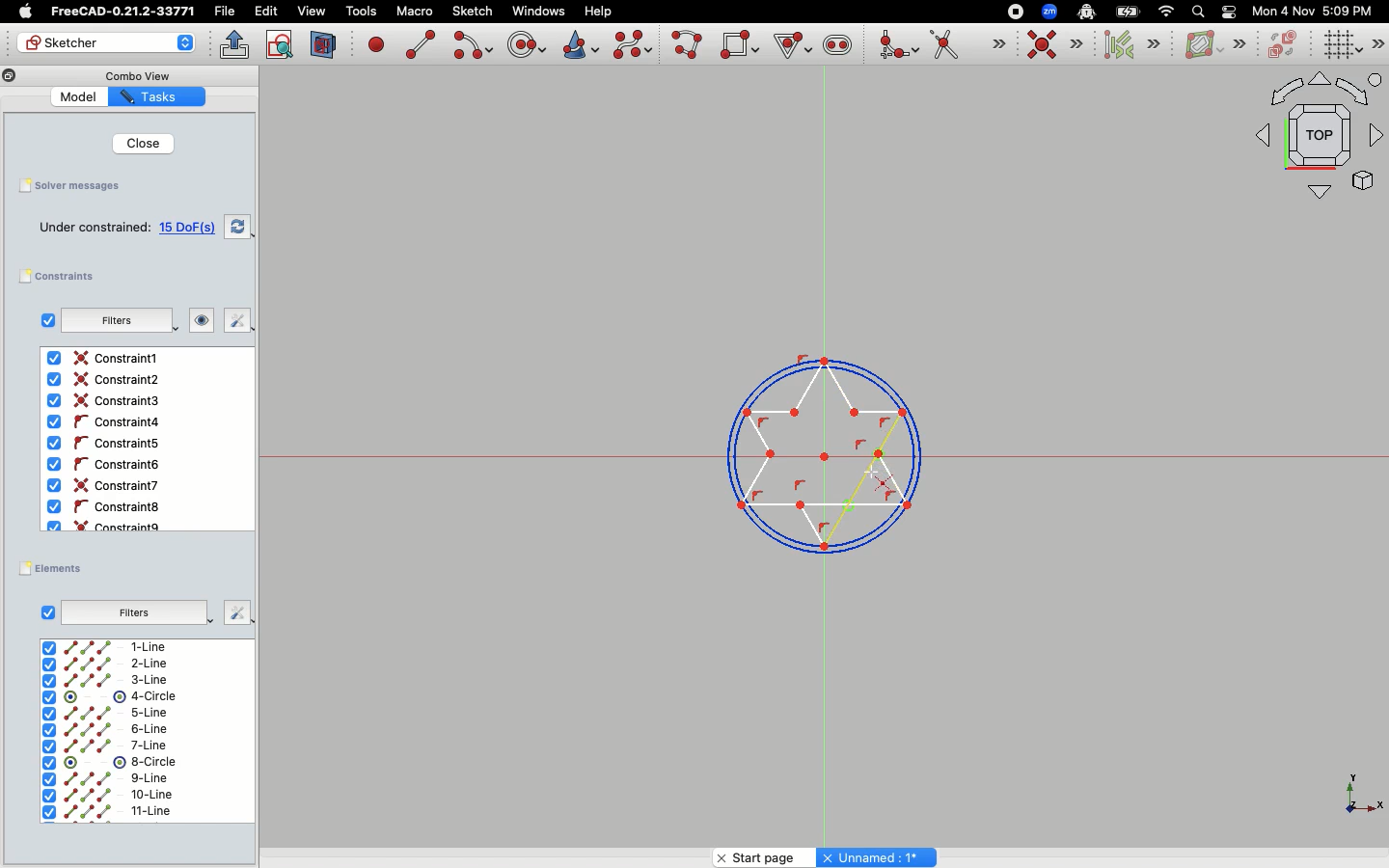 Image resolution: width=1389 pixels, height=868 pixels. I want to click on 7-line, so click(106, 746).